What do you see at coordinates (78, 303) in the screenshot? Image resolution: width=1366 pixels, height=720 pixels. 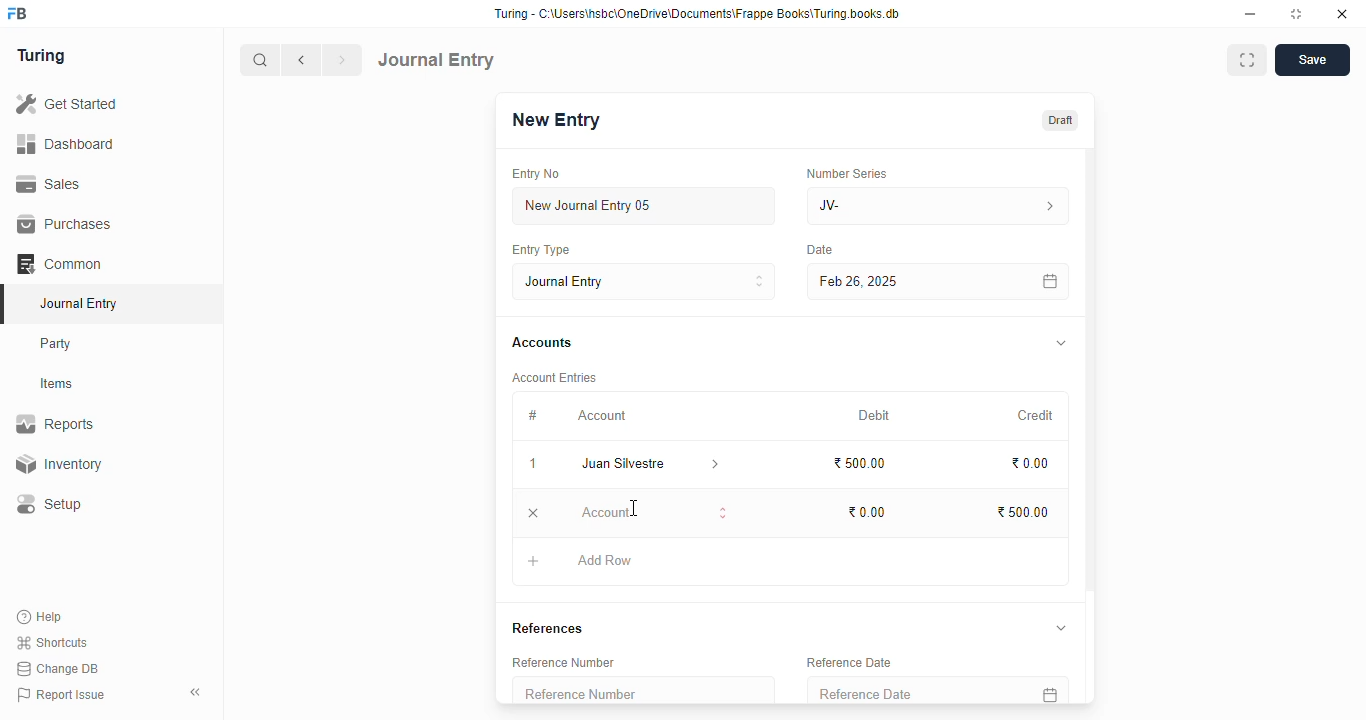 I see `journal entry` at bounding box center [78, 303].